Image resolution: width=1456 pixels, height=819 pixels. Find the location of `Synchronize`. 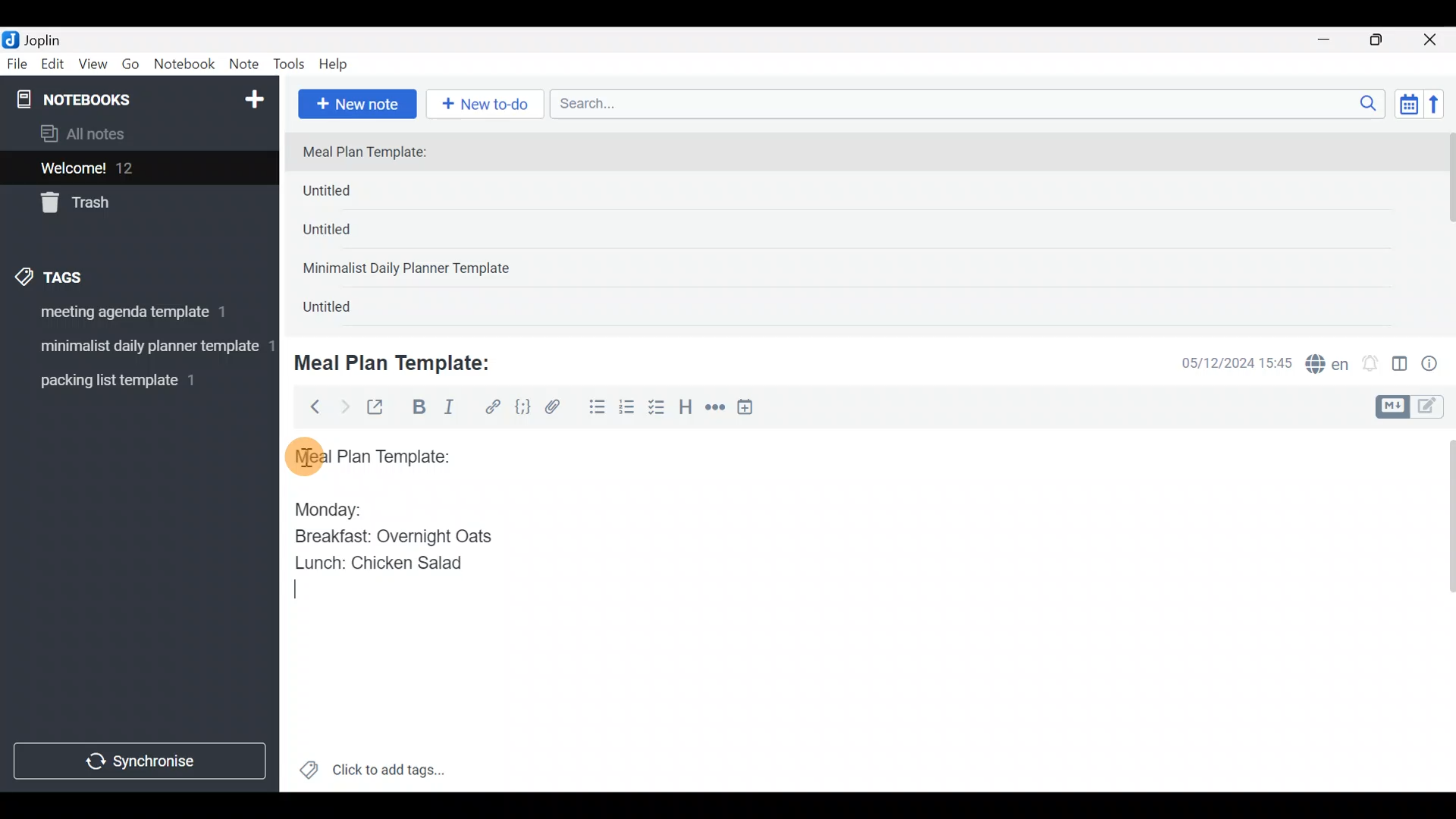

Synchronize is located at coordinates (142, 761).